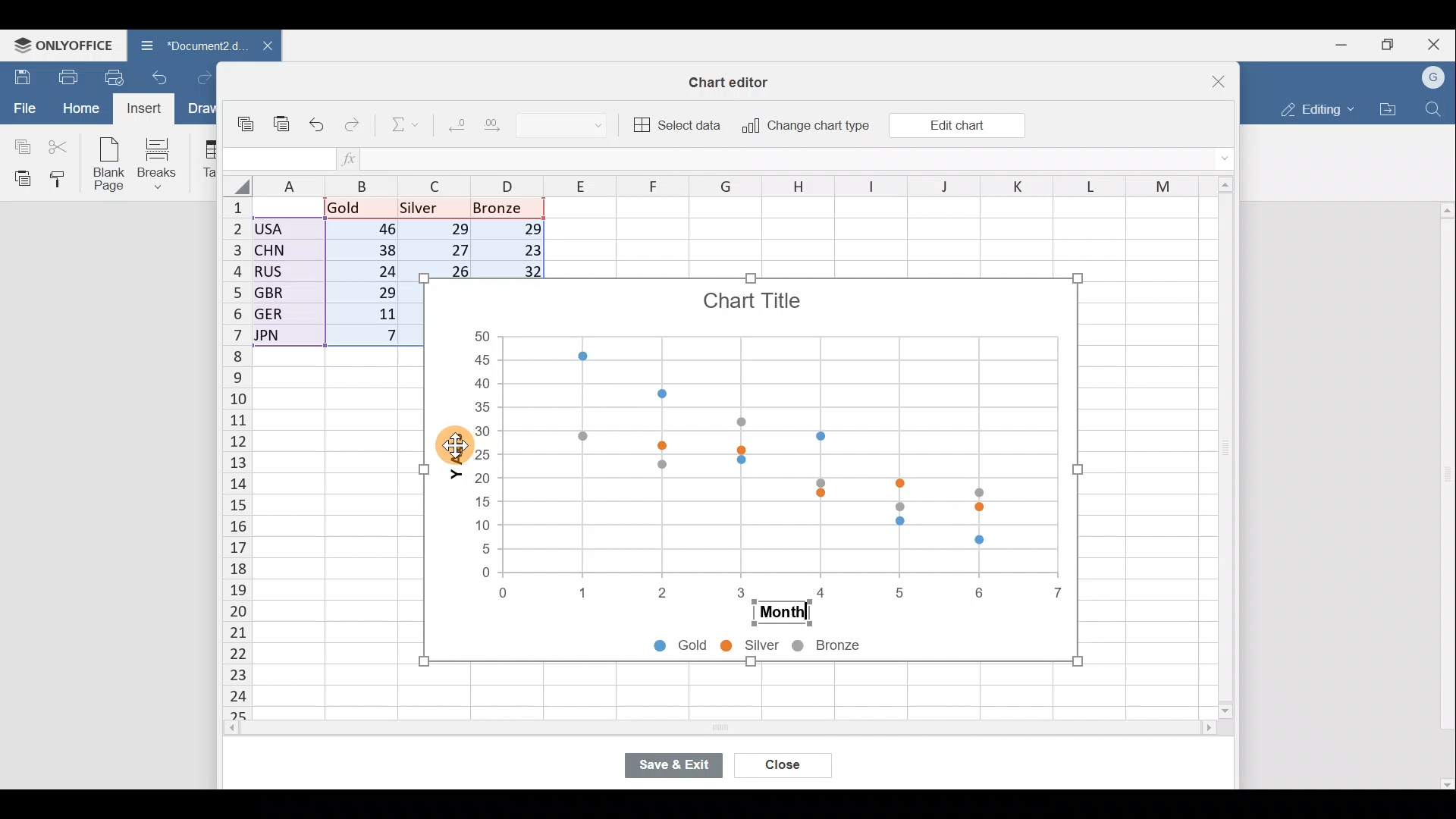 This screenshot has height=819, width=1456. I want to click on Maximize, so click(1389, 45).